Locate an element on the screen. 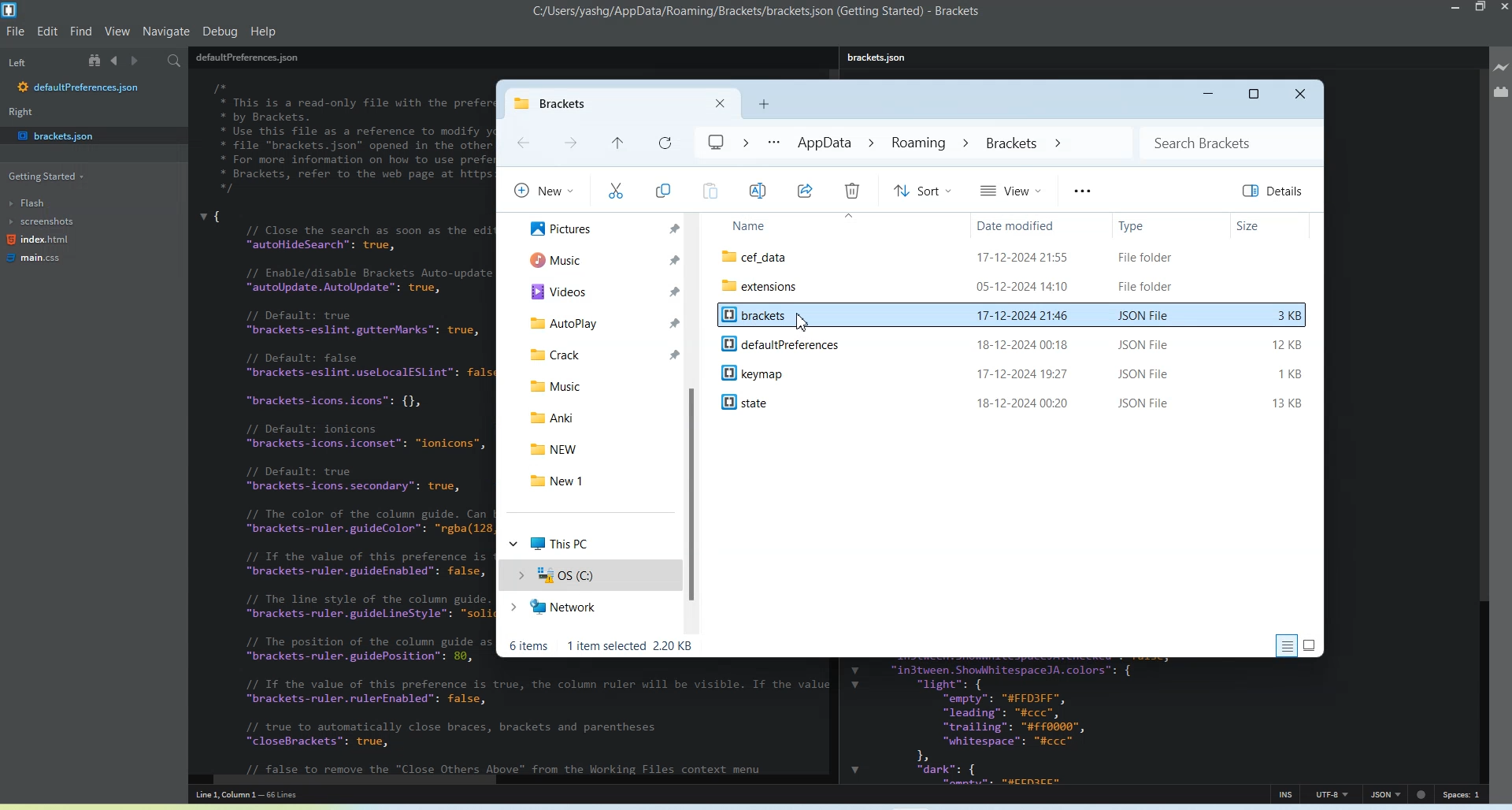 This screenshot has height=810, width=1512. View is located at coordinates (117, 32).